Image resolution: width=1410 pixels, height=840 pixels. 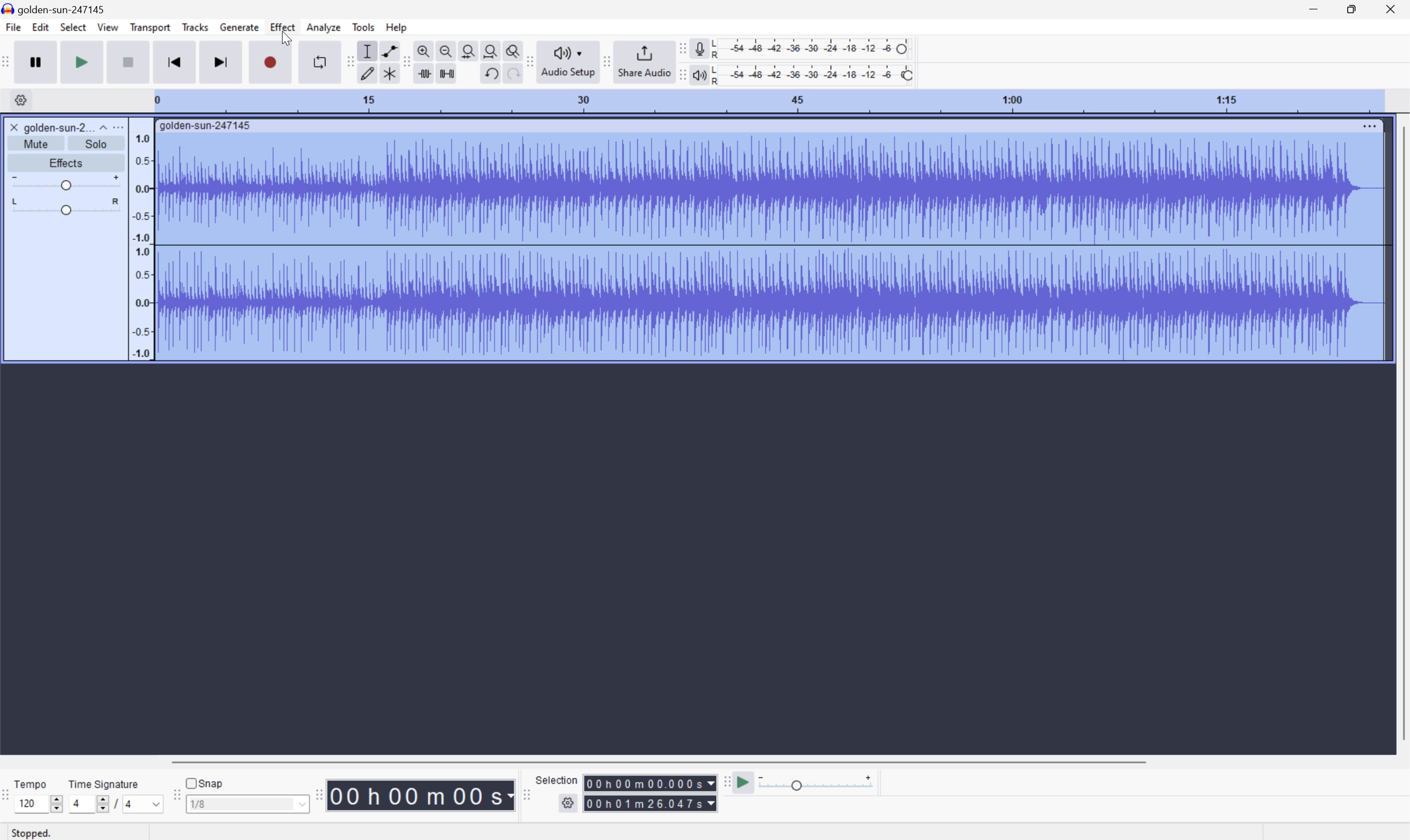 I want to click on Trim audio outside selection, so click(x=426, y=73).